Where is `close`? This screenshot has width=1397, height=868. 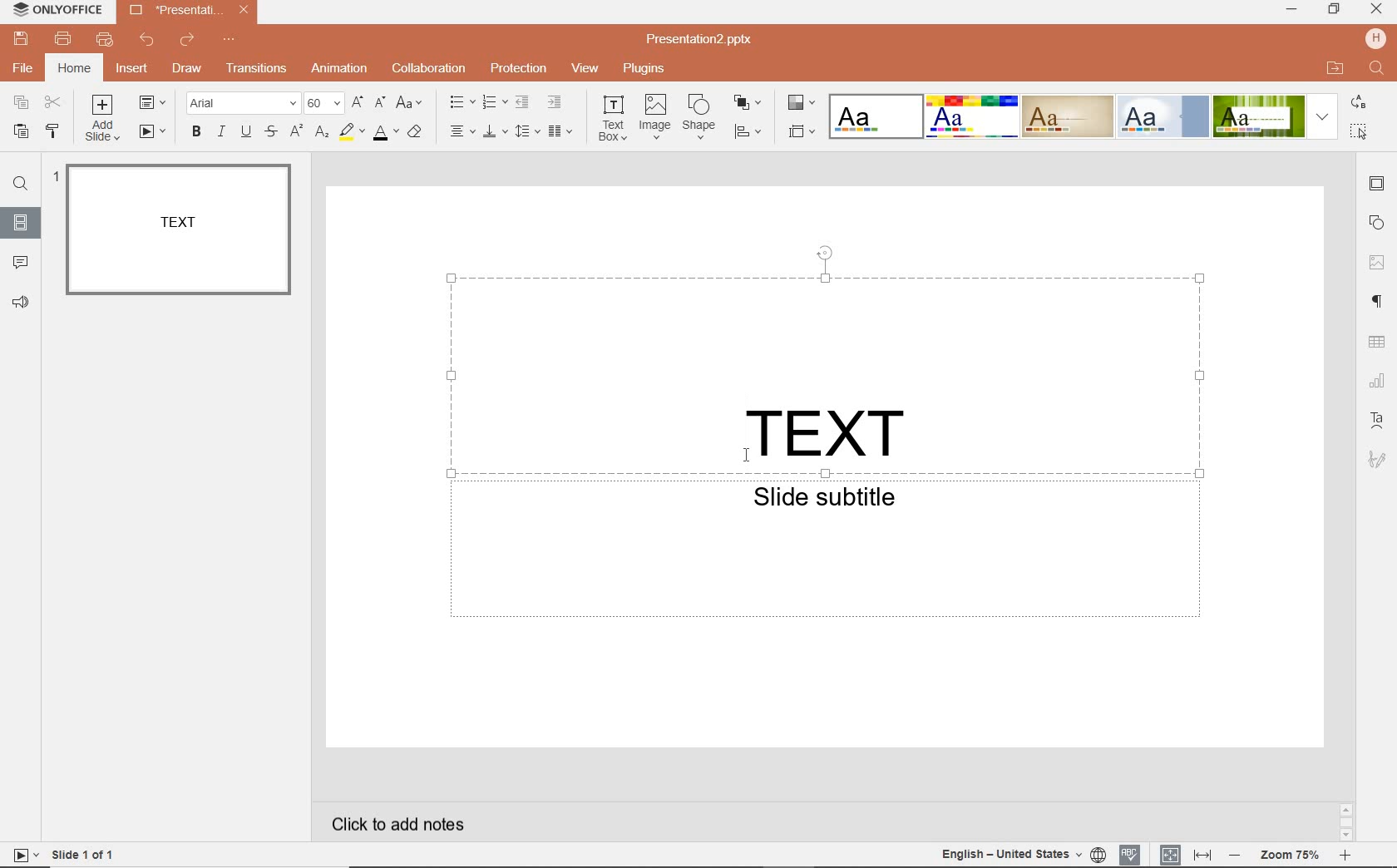
close is located at coordinates (243, 11).